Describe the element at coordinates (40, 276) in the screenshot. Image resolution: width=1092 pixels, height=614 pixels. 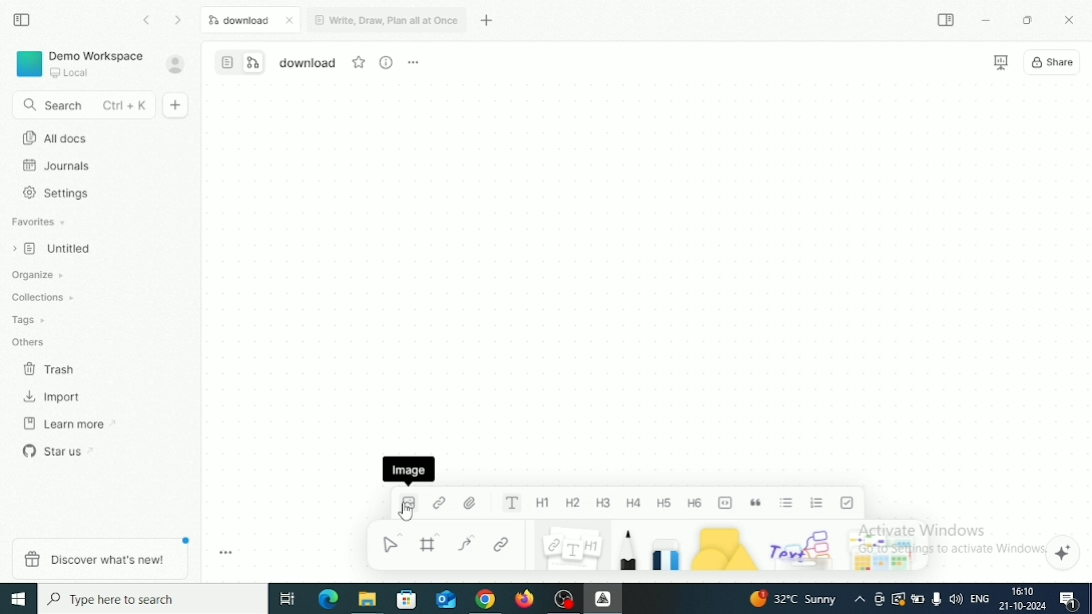
I see `Organize` at that location.